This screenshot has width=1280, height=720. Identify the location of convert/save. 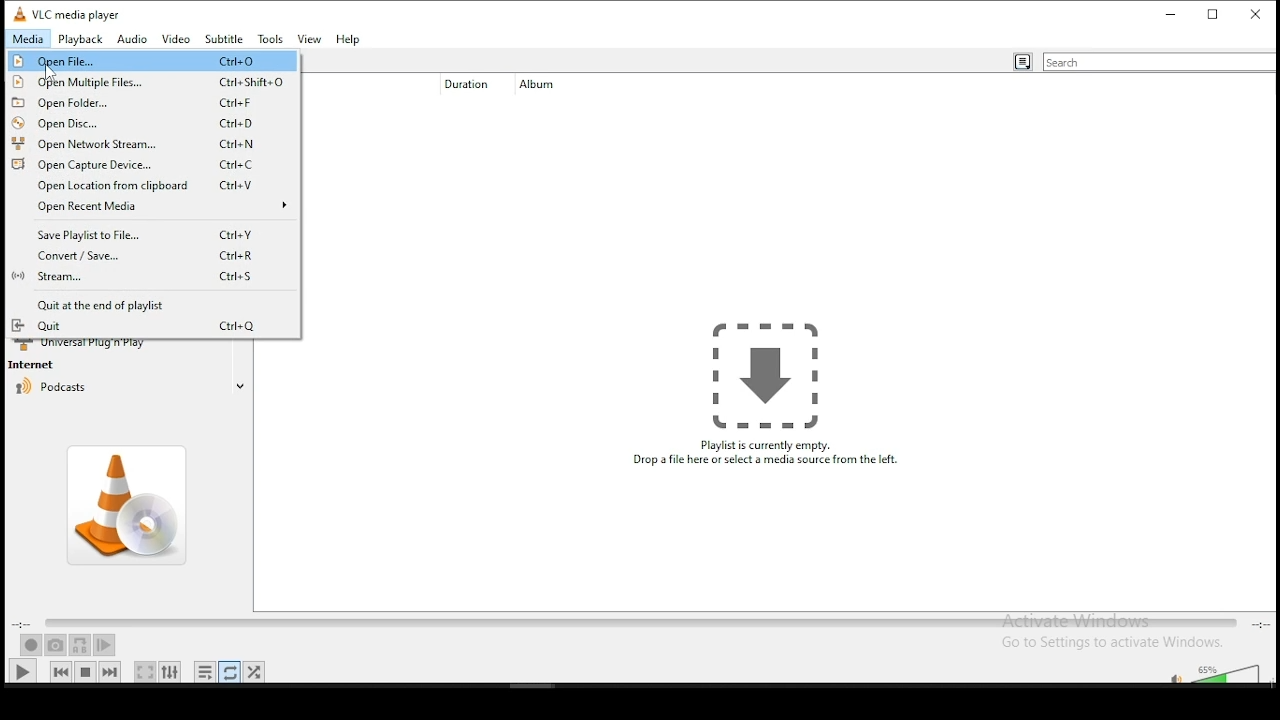
(143, 258).